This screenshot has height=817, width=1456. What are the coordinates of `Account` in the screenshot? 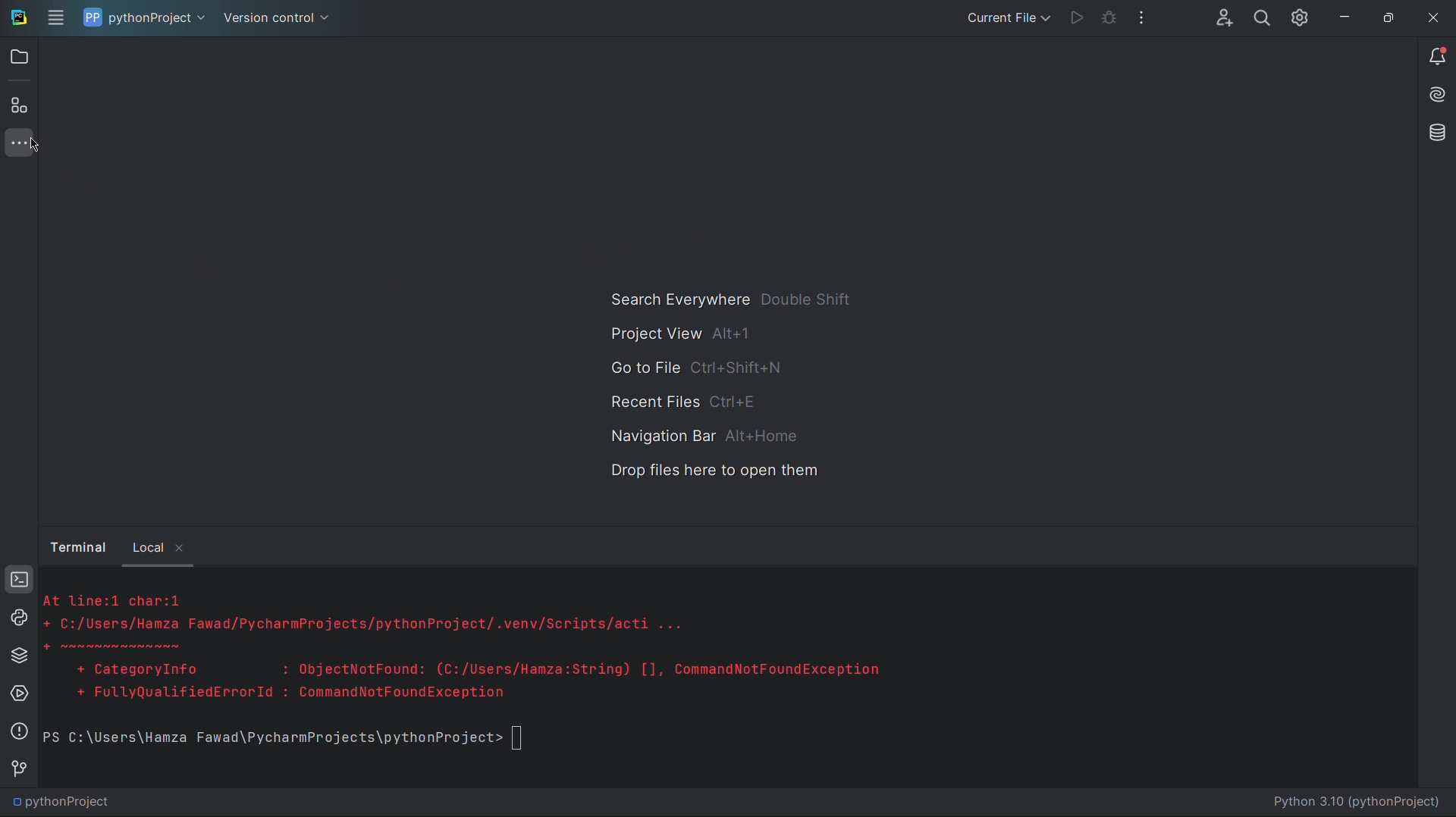 It's located at (1221, 19).